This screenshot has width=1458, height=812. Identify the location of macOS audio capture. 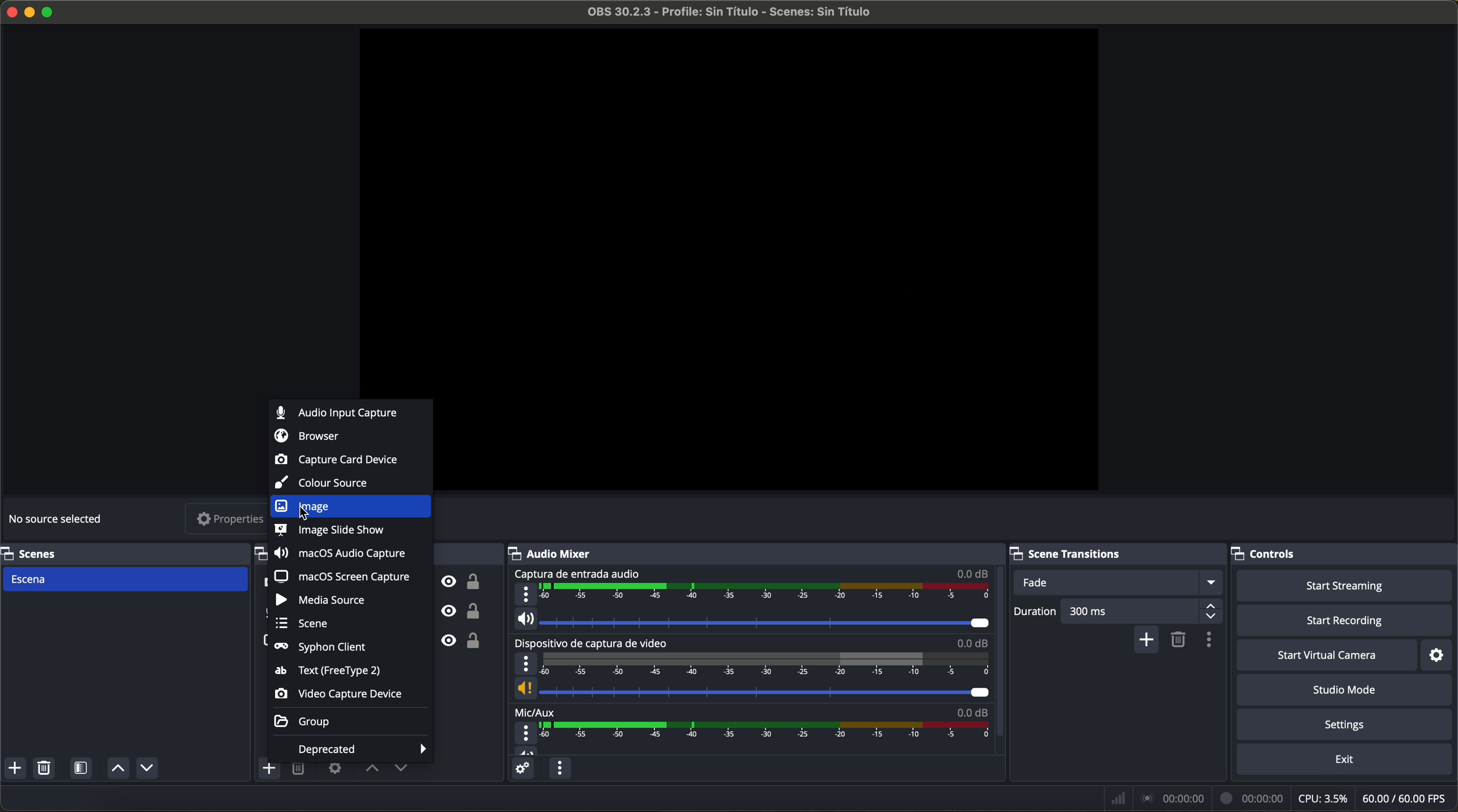
(340, 553).